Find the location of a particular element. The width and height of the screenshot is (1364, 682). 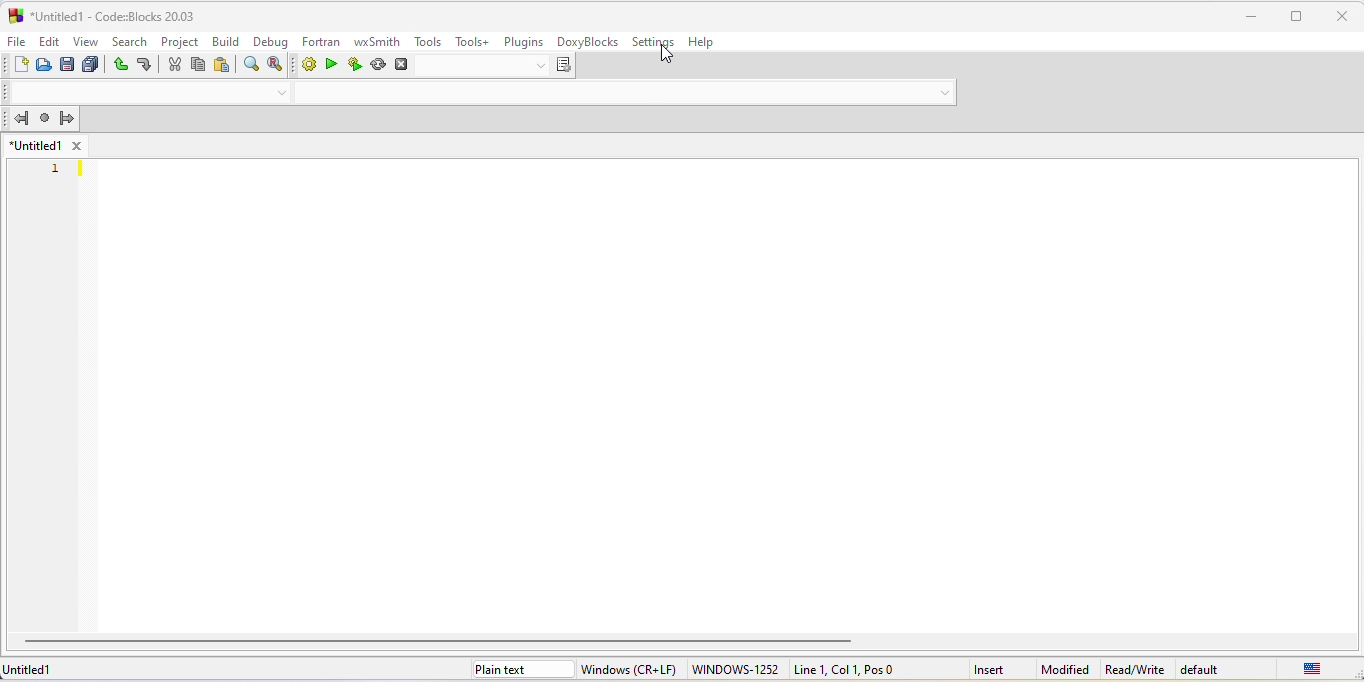

run is located at coordinates (331, 63).